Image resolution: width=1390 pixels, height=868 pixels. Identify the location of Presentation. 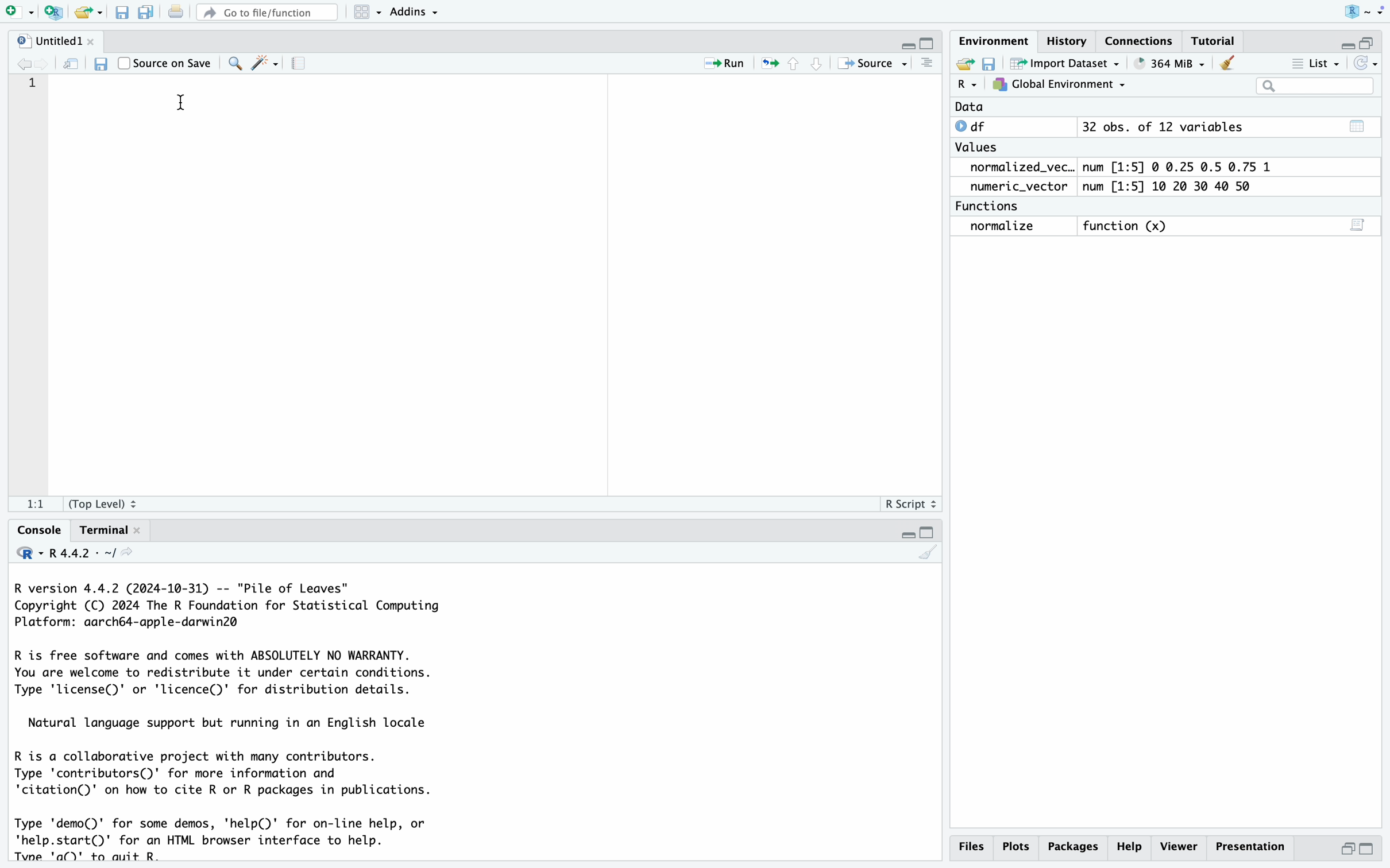
(1252, 845).